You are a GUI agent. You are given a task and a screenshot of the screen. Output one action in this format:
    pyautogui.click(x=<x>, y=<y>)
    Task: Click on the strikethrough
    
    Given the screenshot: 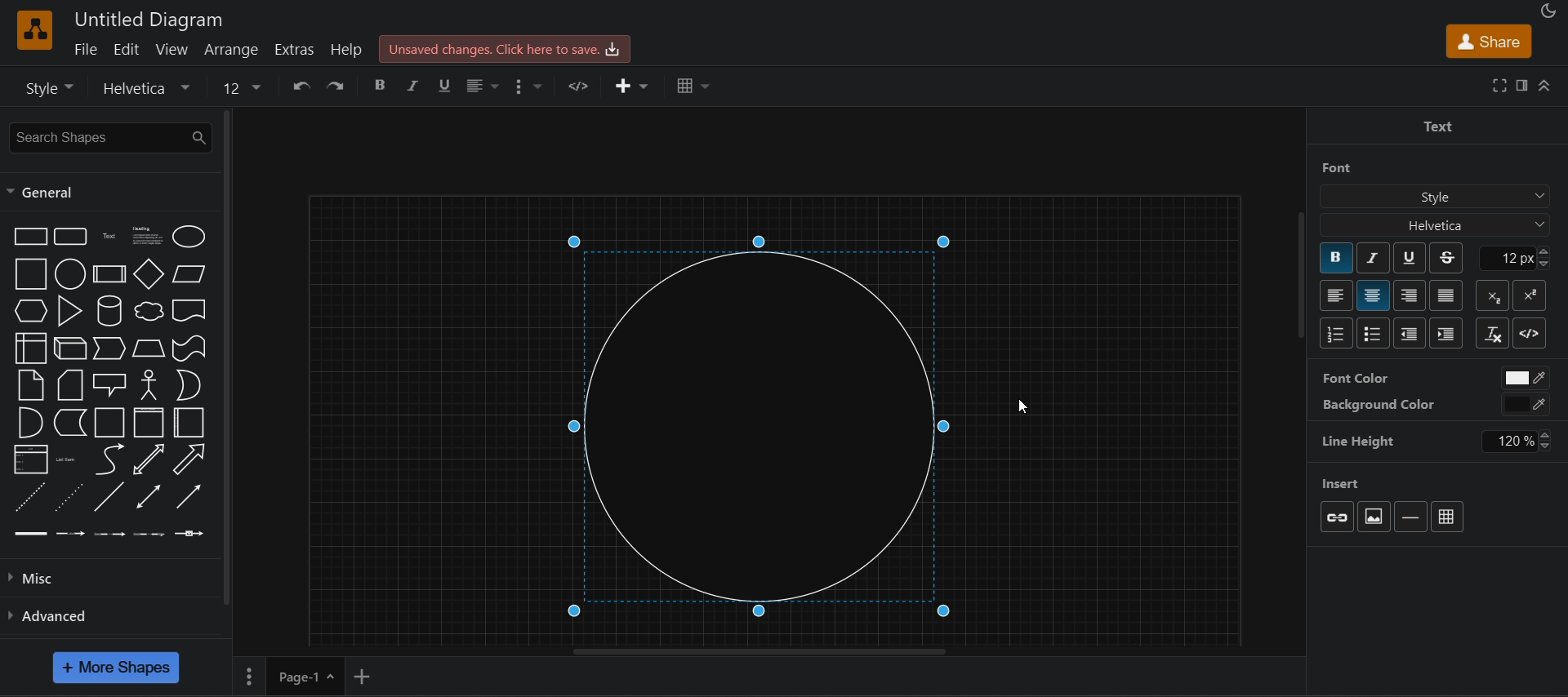 What is the action you would take?
    pyautogui.click(x=1449, y=257)
    